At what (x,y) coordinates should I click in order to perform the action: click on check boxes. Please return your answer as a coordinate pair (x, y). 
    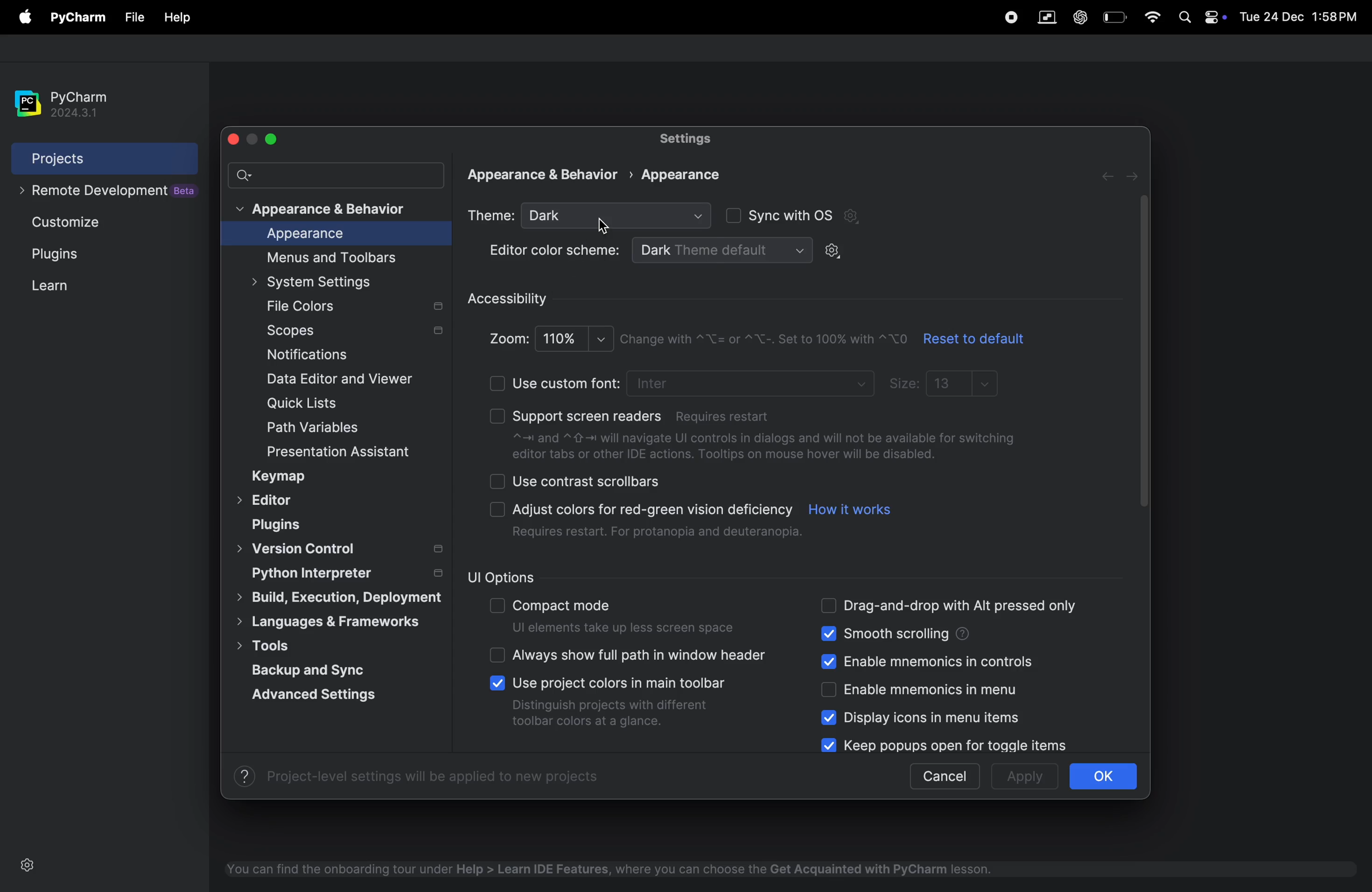
    Looking at the image, I should click on (827, 664).